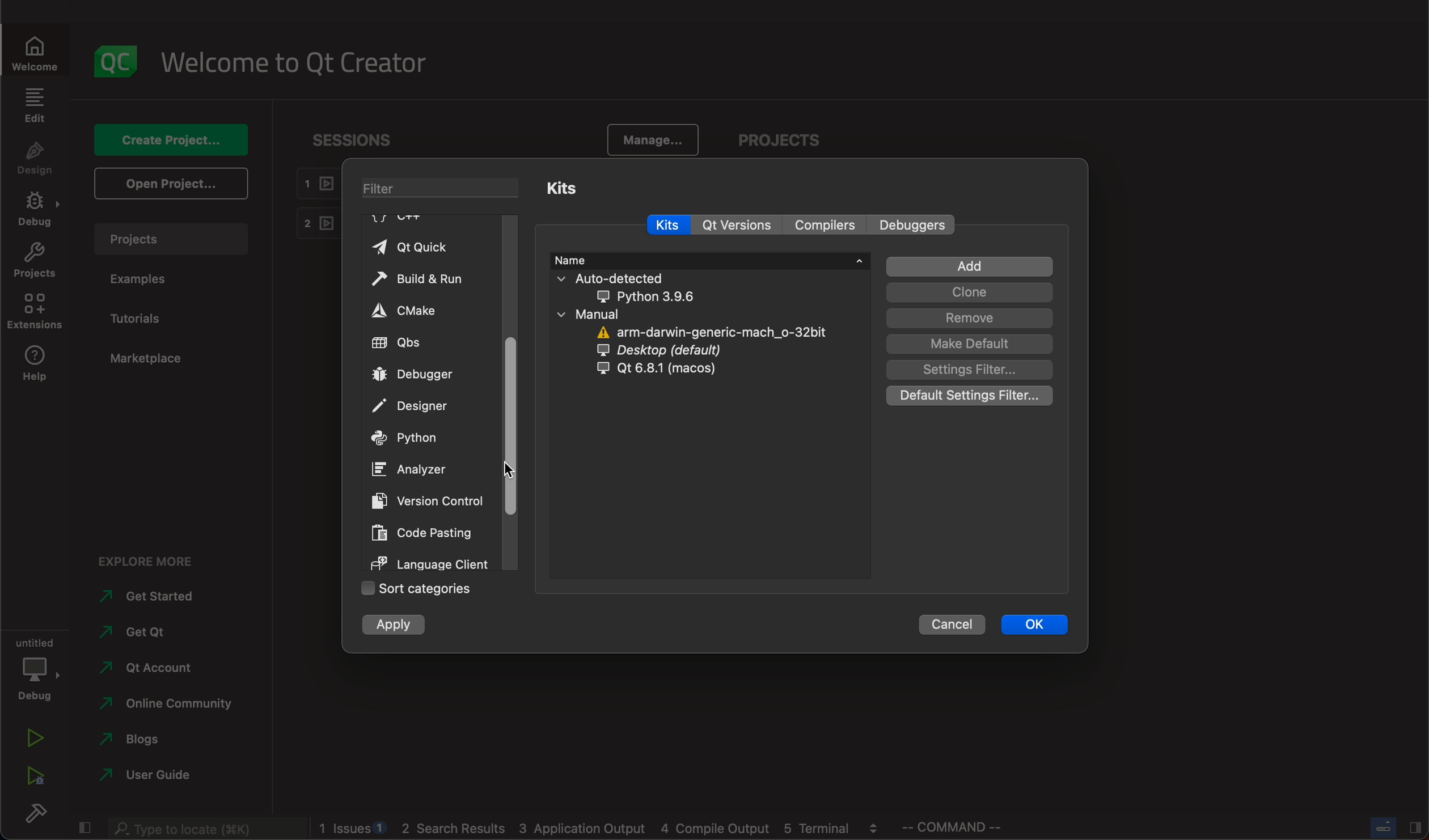  I want to click on welcome, so click(298, 62).